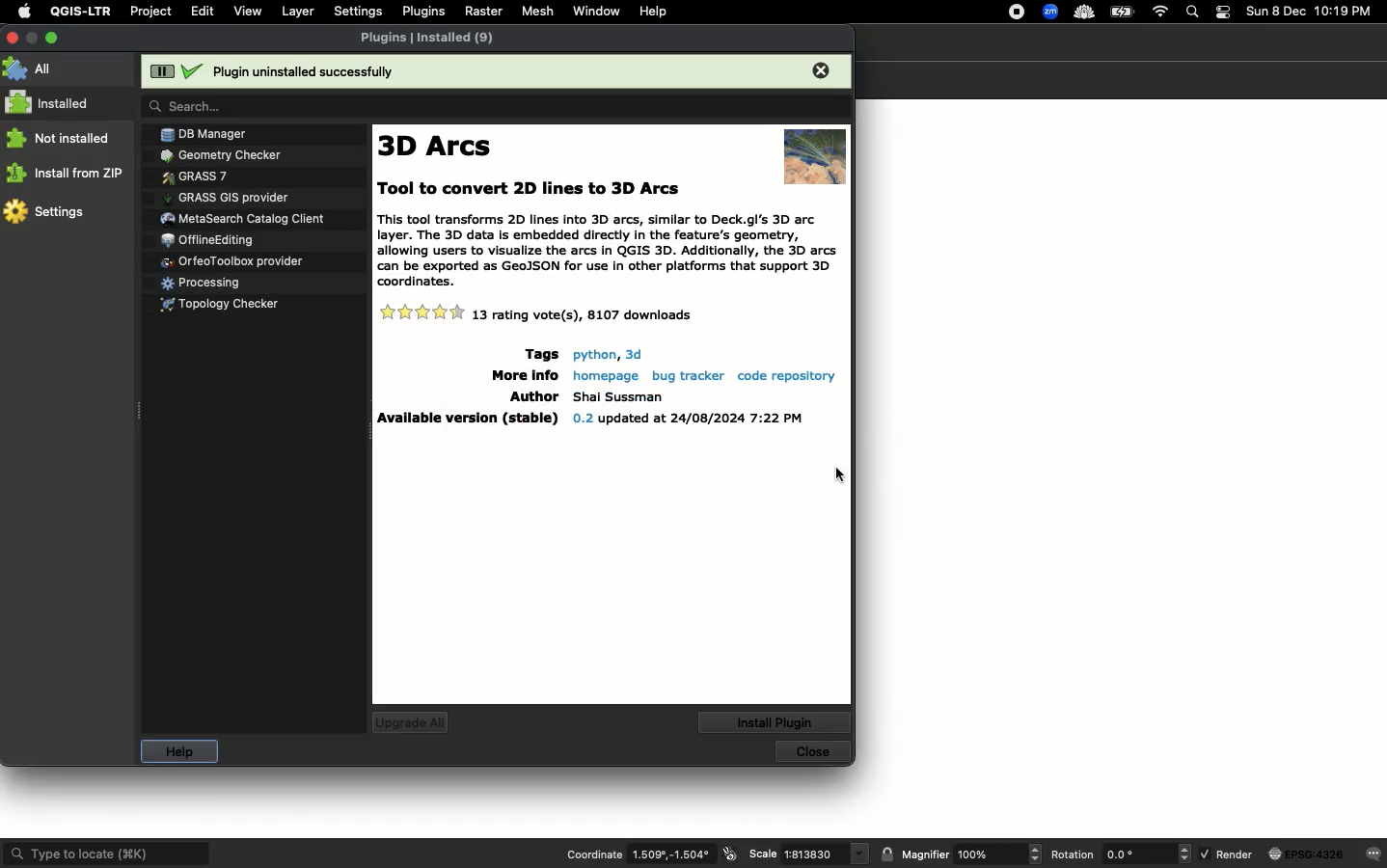 The image size is (1387, 868). Describe the element at coordinates (810, 753) in the screenshot. I see `Close` at that location.